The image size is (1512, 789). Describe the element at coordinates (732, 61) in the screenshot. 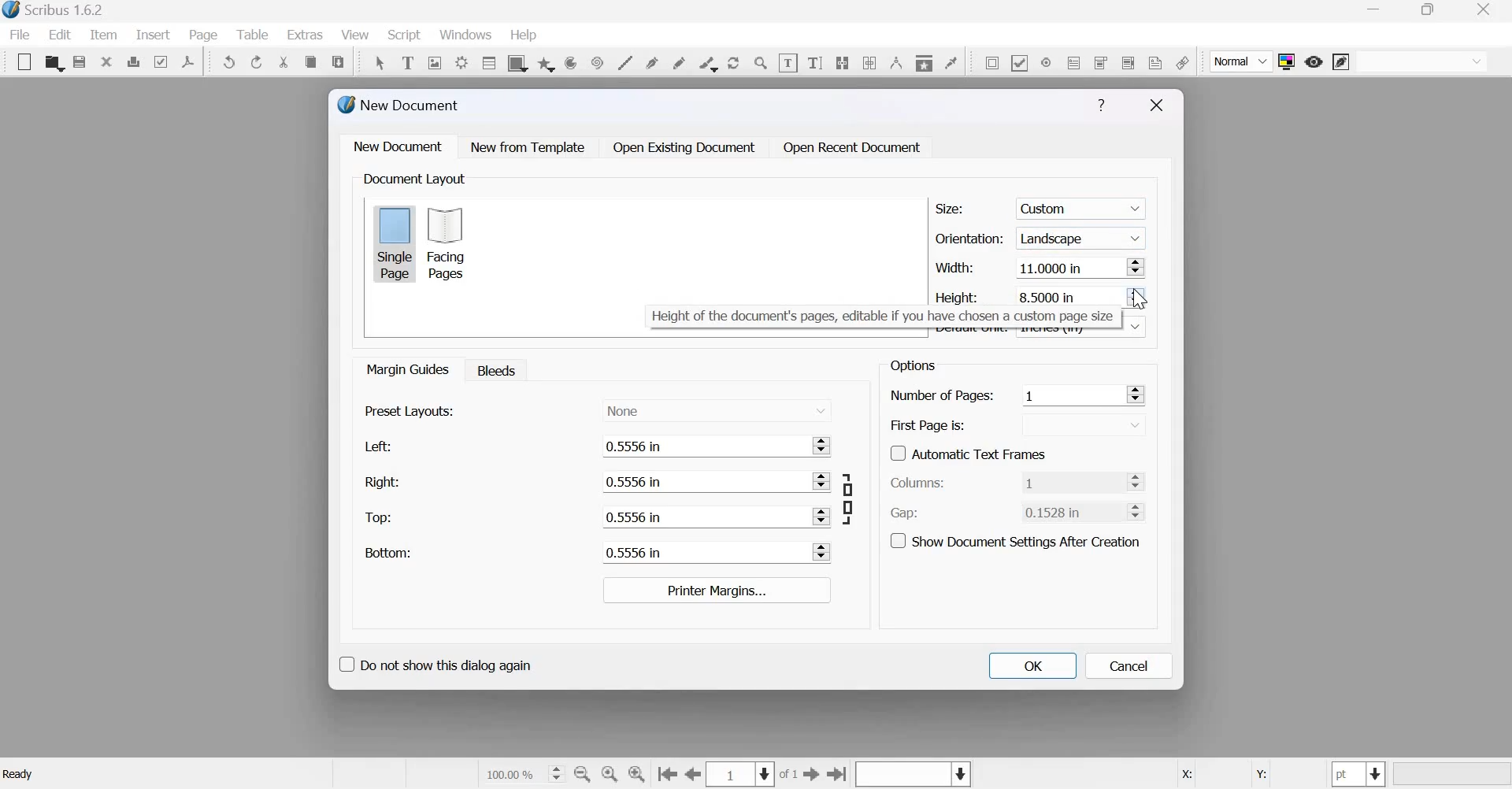

I see `rotate item` at that location.